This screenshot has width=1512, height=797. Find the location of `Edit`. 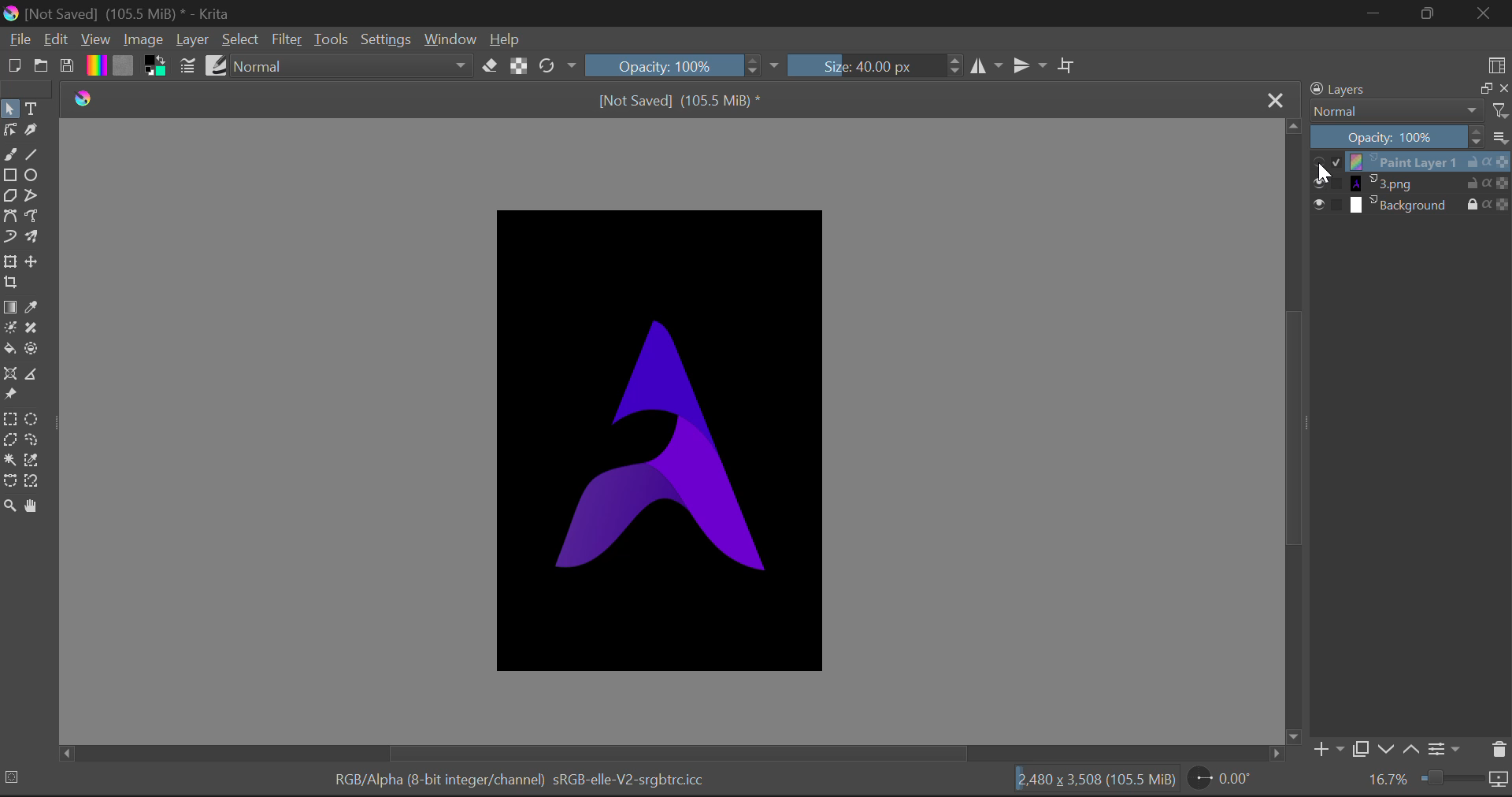

Edit is located at coordinates (57, 40).